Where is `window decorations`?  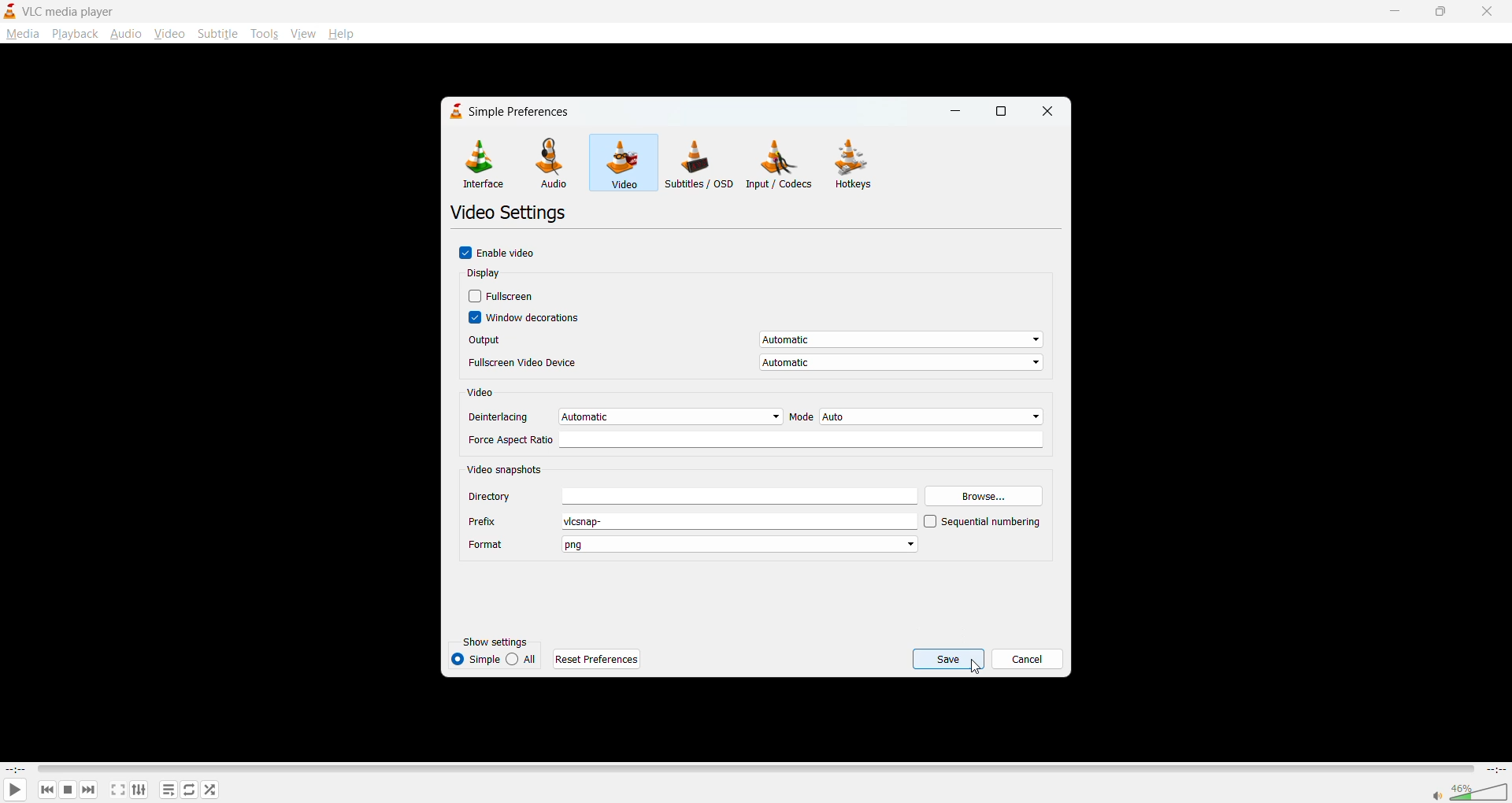
window decorations is located at coordinates (527, 319).